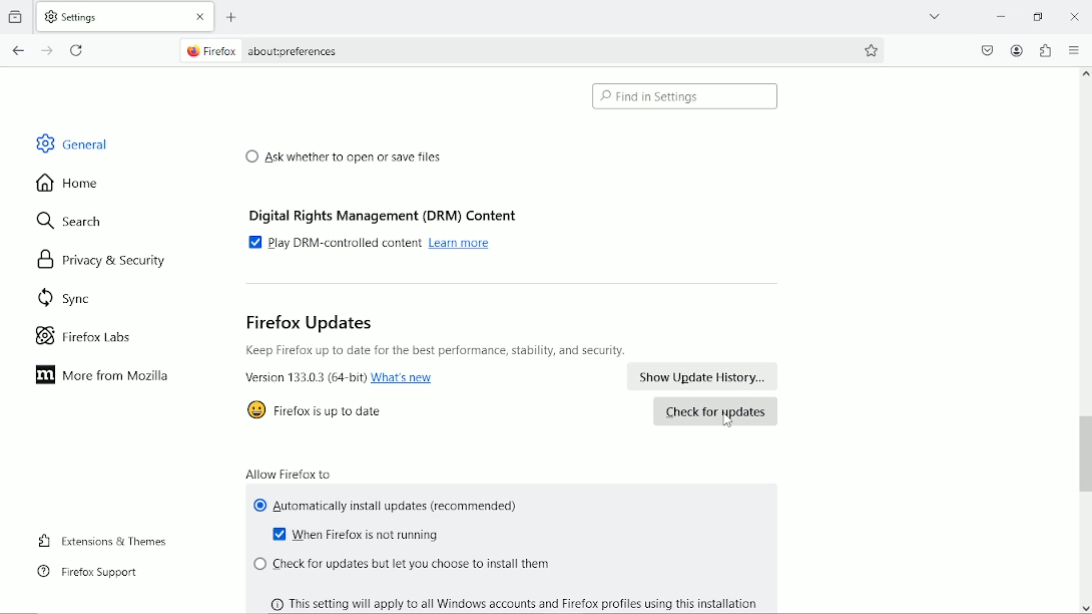  I want to click on Firefox Updates, so click(309, 322).